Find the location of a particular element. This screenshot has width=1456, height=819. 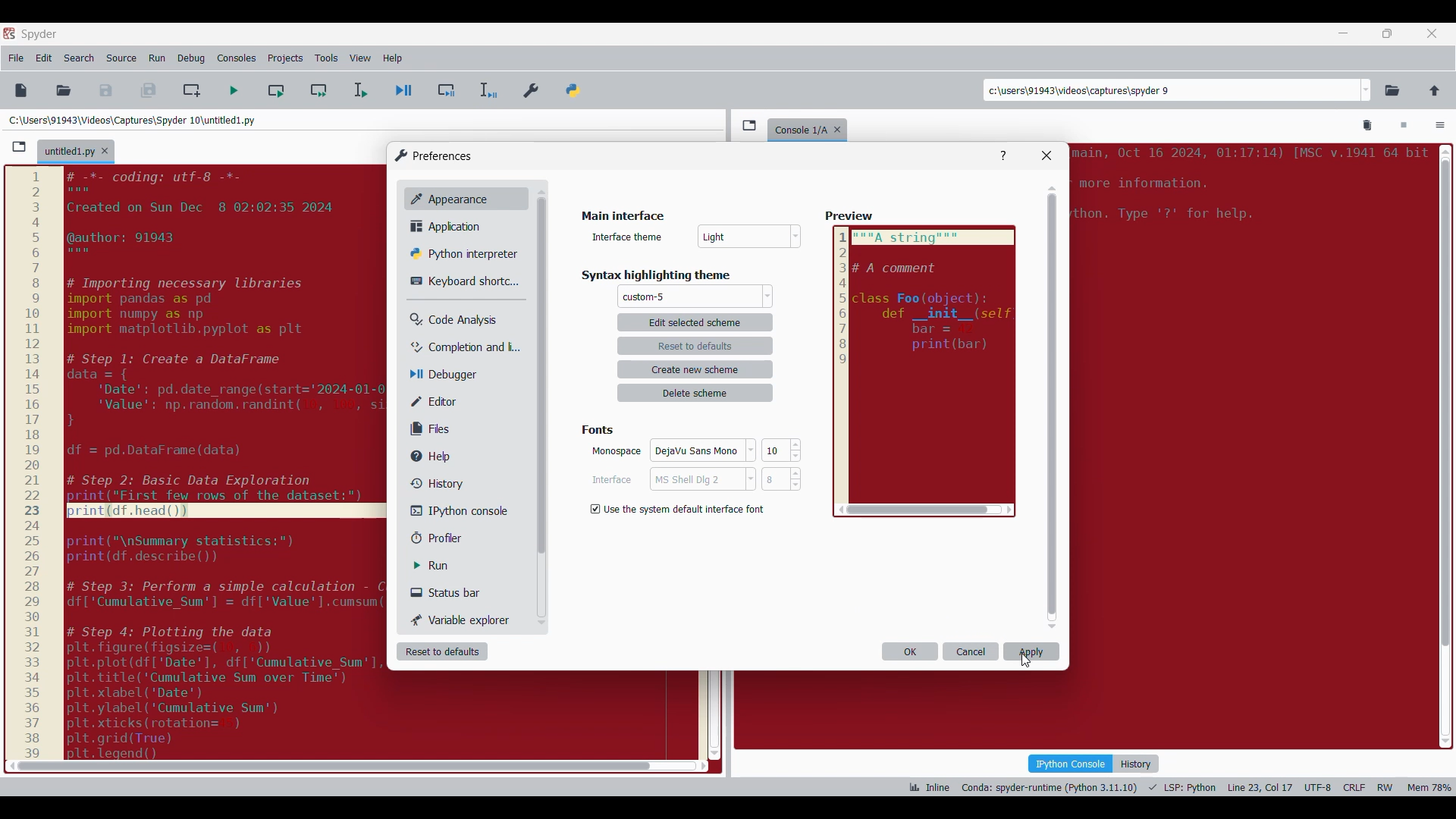

edit selected scheme is located at coordinates (695, 322).